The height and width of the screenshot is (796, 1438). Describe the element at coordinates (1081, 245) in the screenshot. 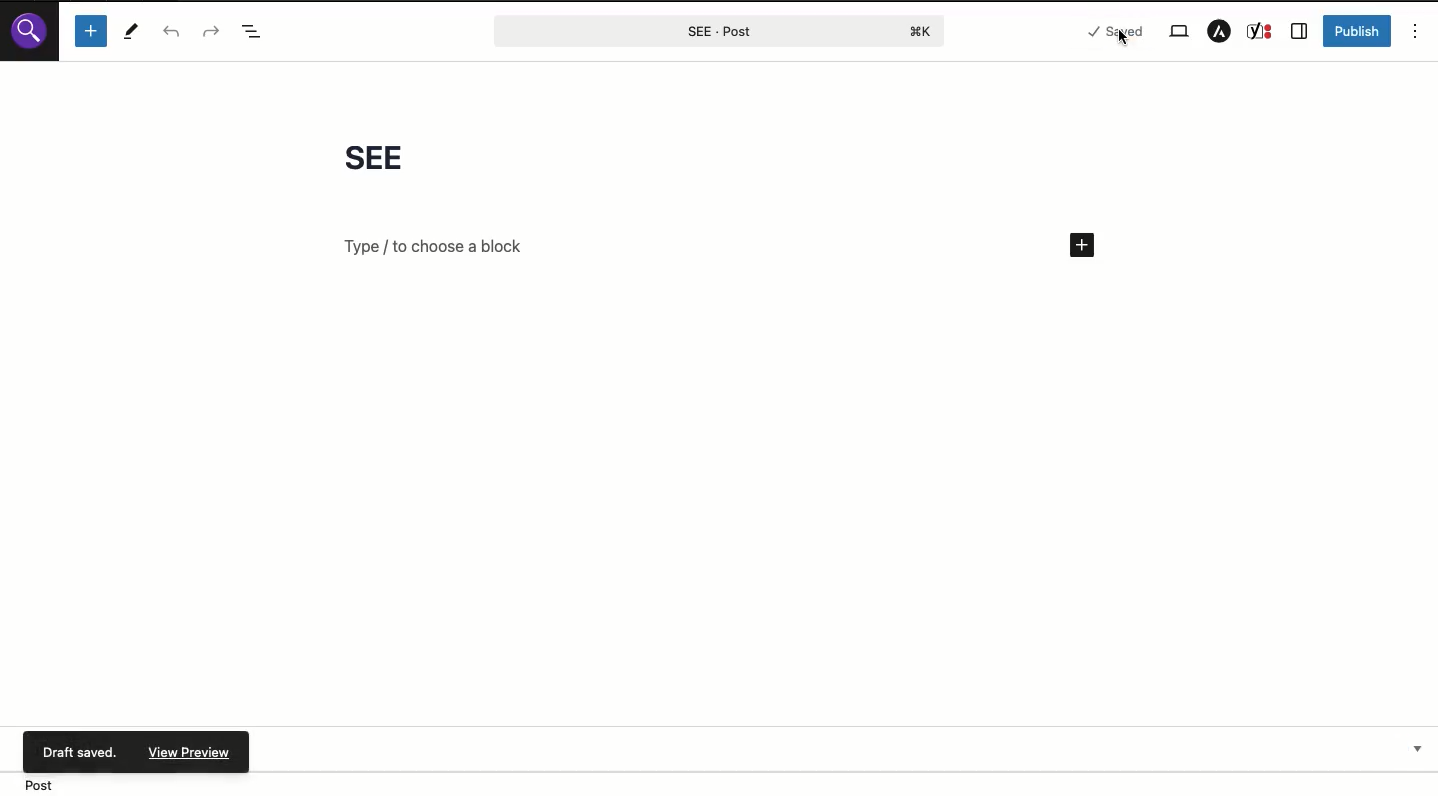

I see `Add new block` at that location.